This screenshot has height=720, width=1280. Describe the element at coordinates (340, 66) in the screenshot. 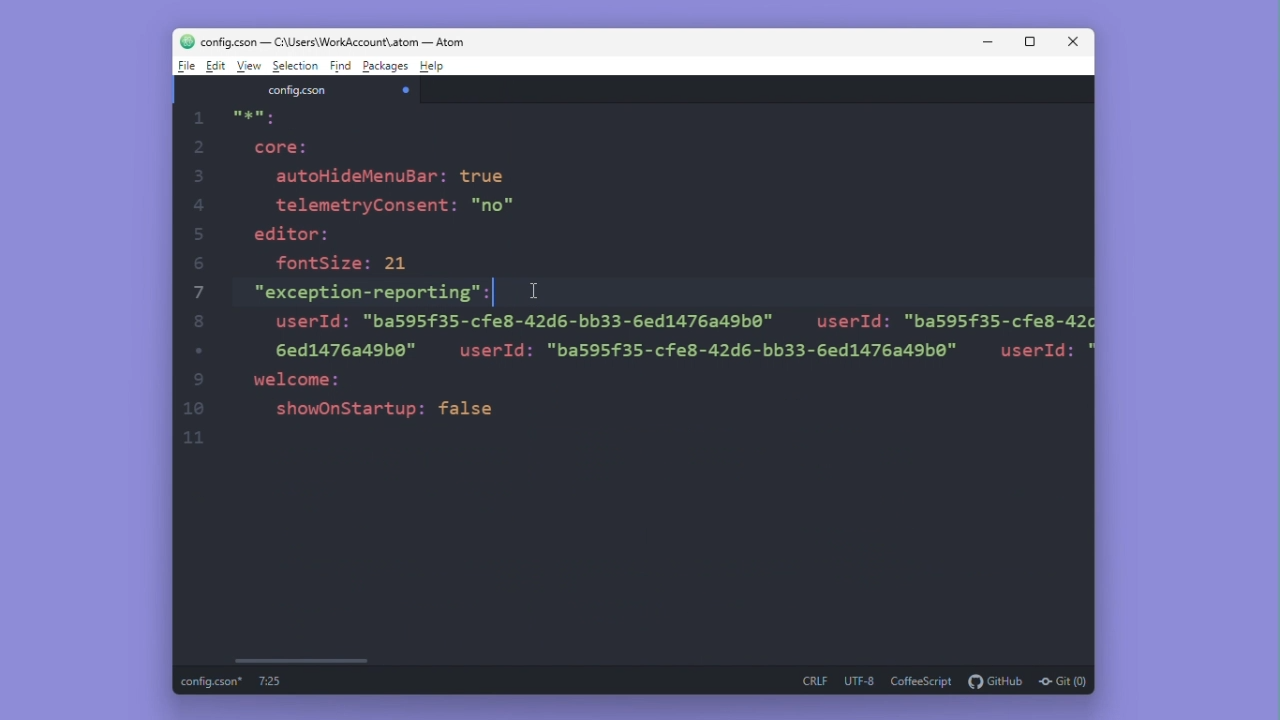

I see `Find` at that location.